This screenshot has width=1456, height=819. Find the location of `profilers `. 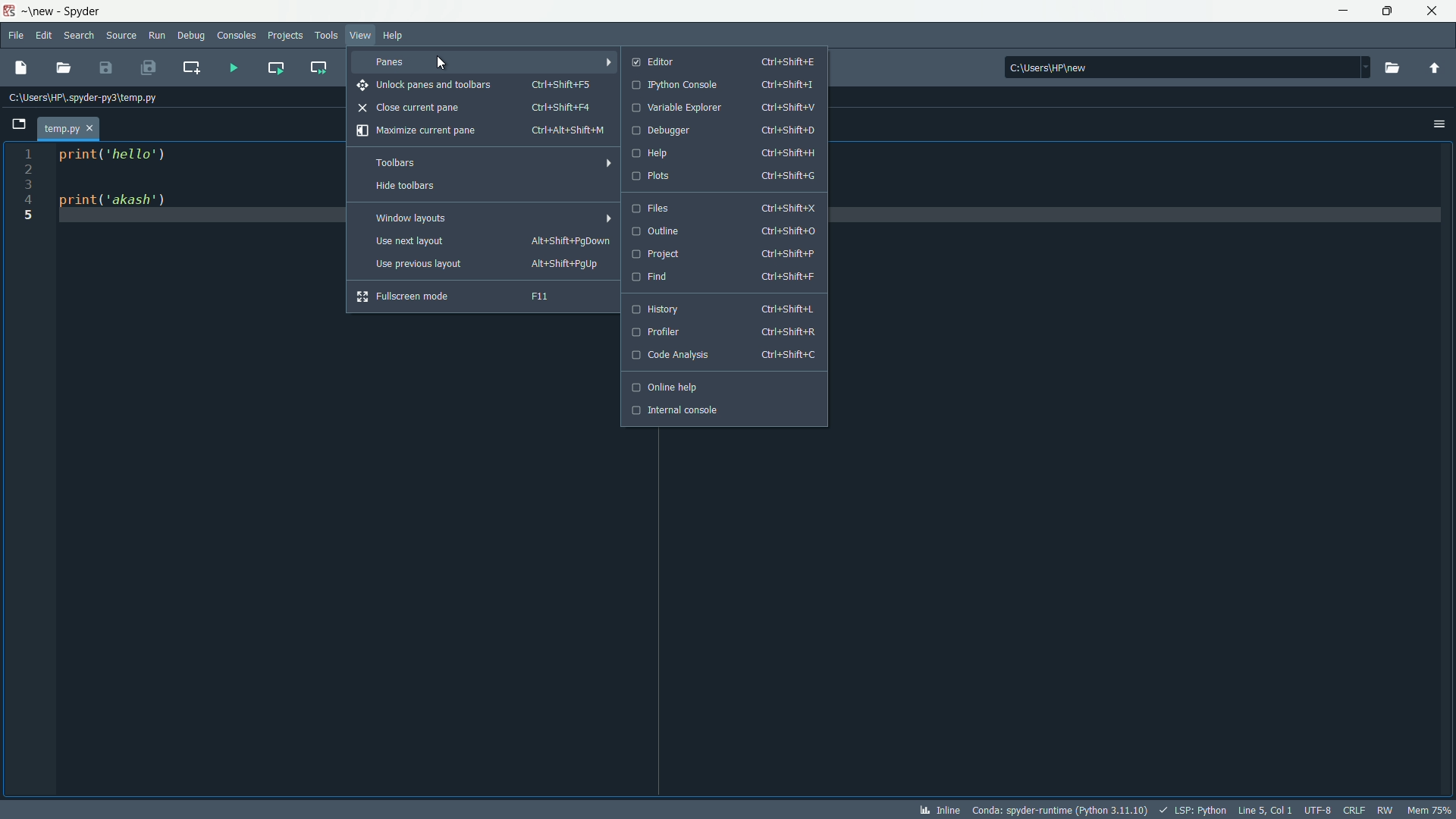

profilers  is located at coordinates (720, 332).